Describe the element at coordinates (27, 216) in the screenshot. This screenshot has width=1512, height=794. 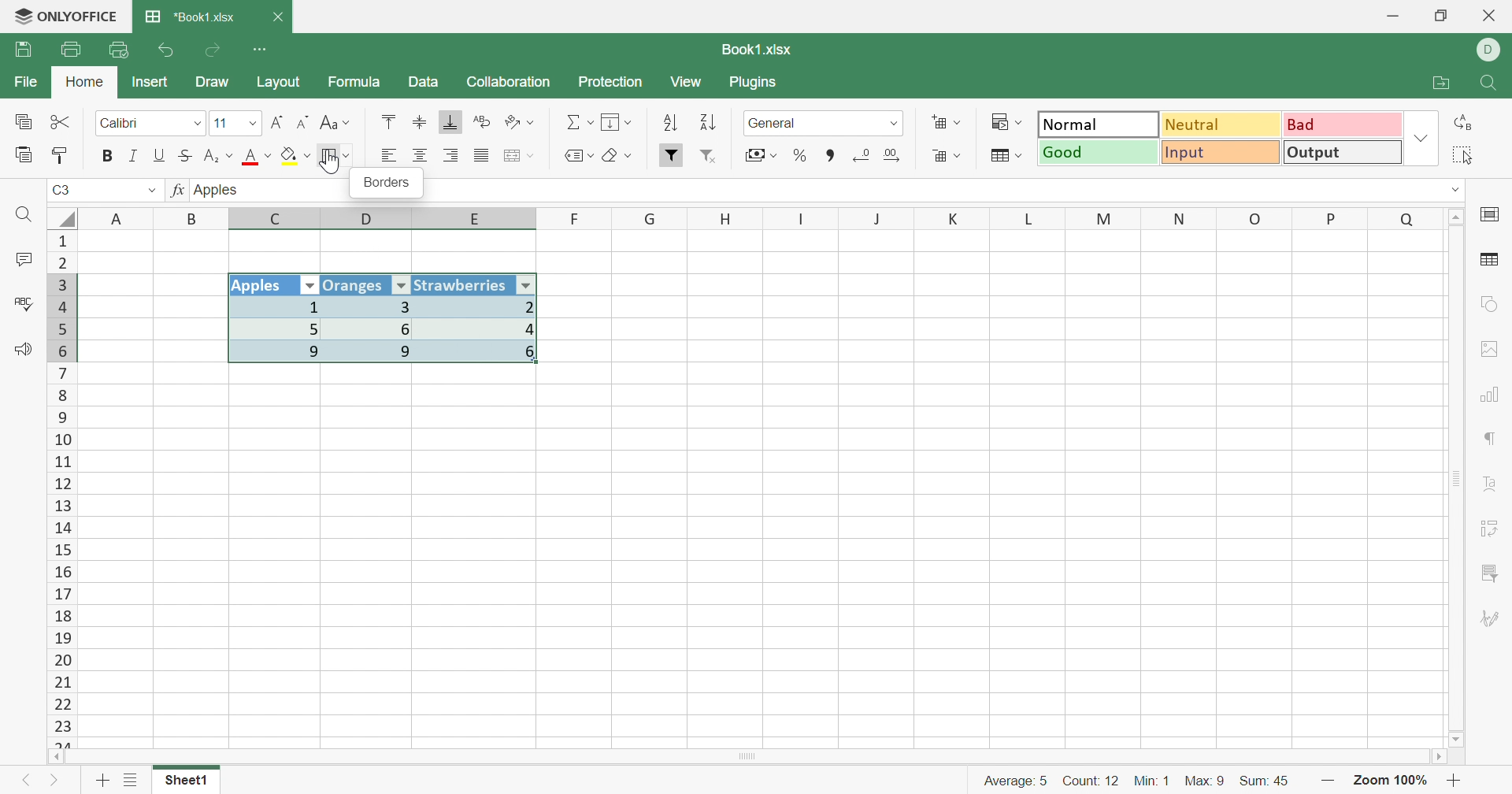
I see `Find` at that location.